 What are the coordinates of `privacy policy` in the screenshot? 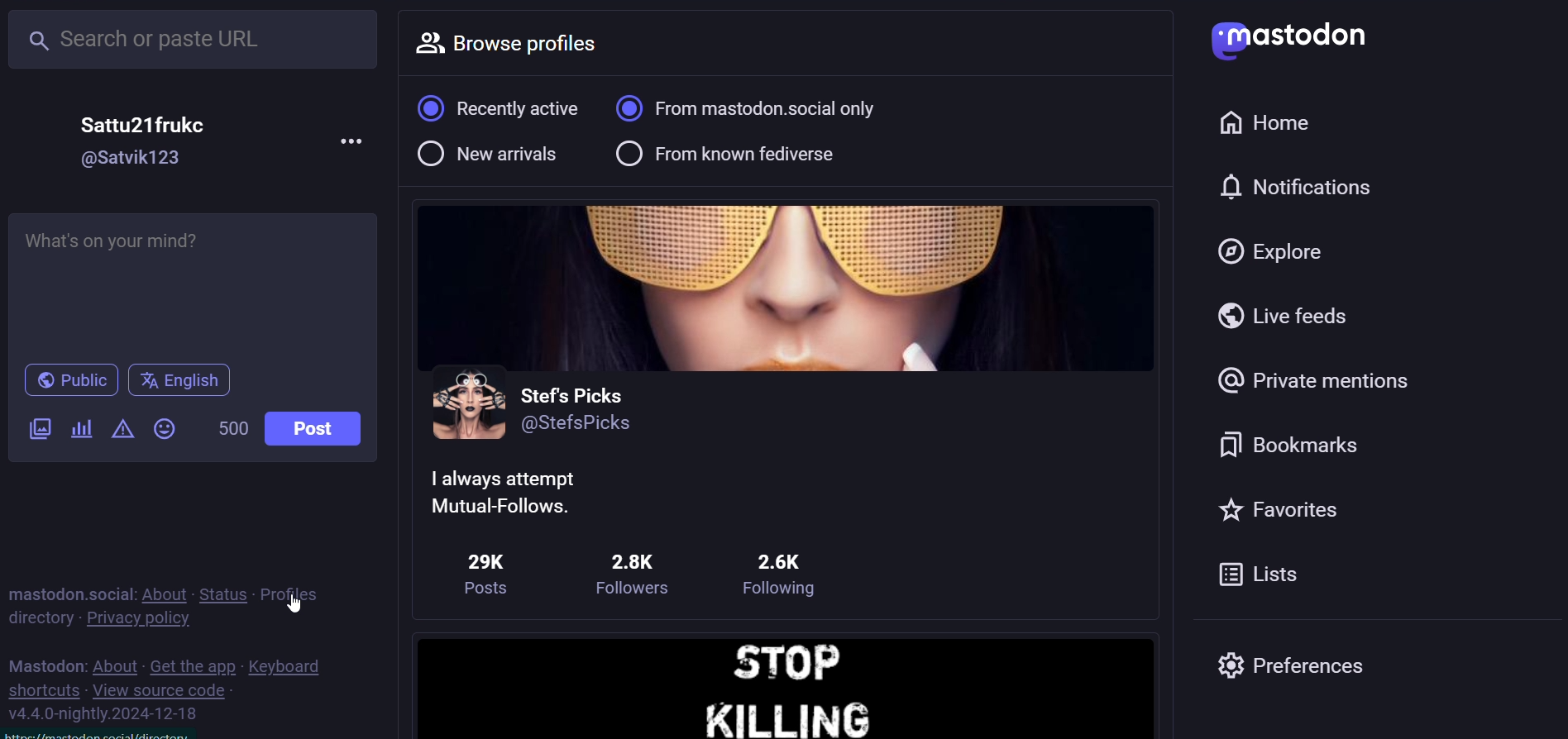 It's located at (140, 620).